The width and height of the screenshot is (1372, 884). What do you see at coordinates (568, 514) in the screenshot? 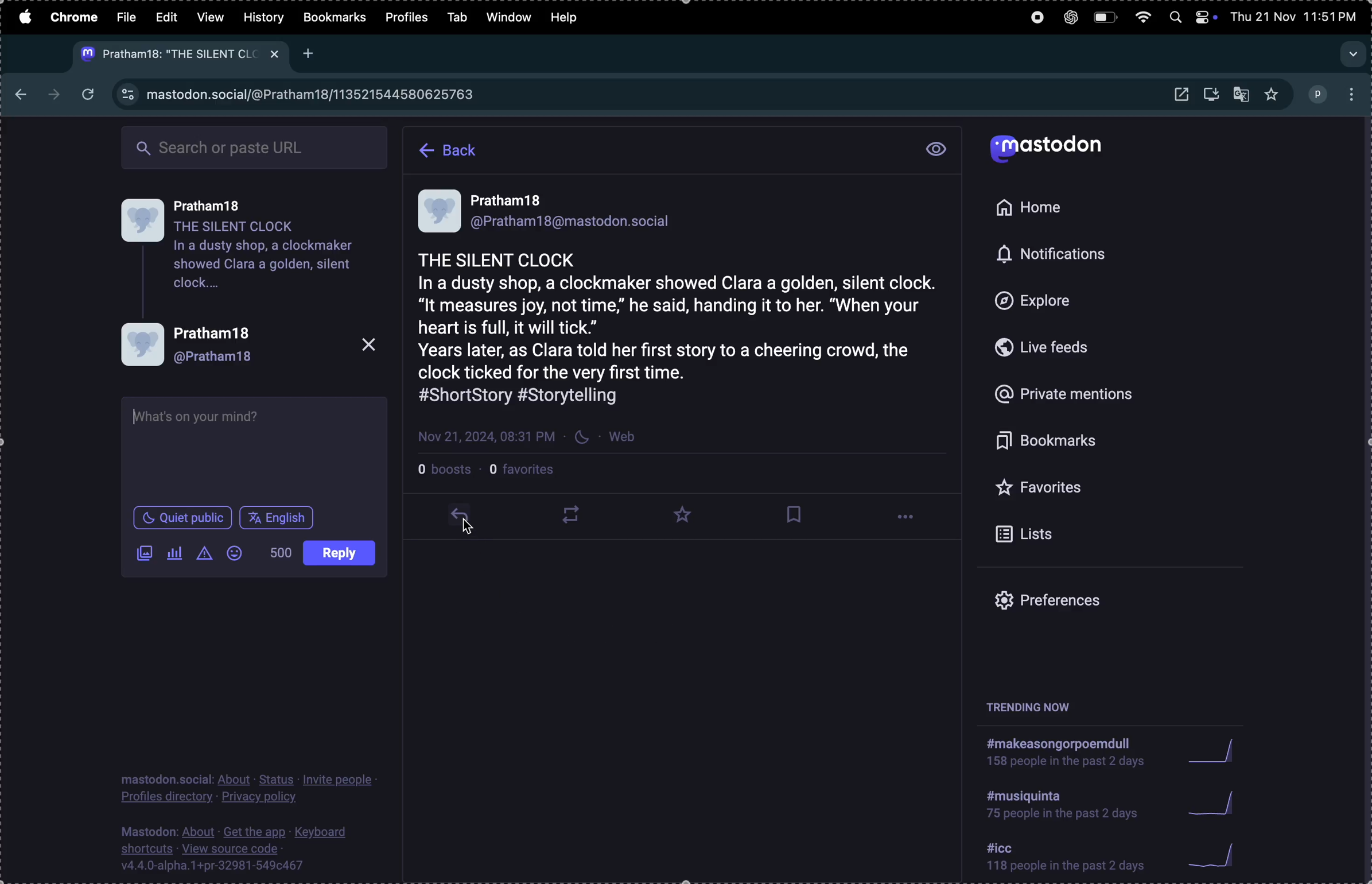
I see `loopplay` at bounding box center [568, 514].